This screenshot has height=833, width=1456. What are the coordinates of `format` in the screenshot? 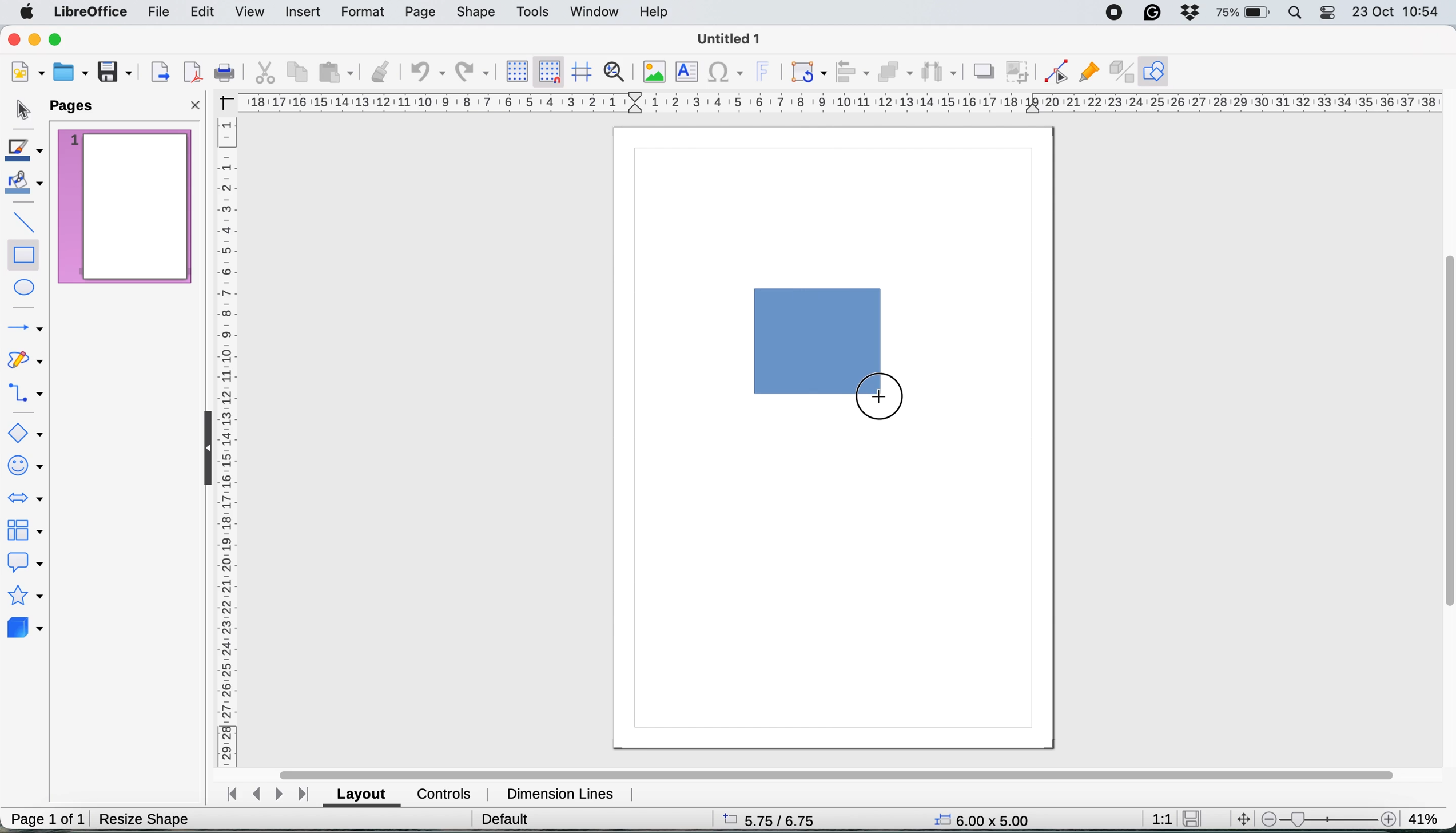 It's located at (361, 10).